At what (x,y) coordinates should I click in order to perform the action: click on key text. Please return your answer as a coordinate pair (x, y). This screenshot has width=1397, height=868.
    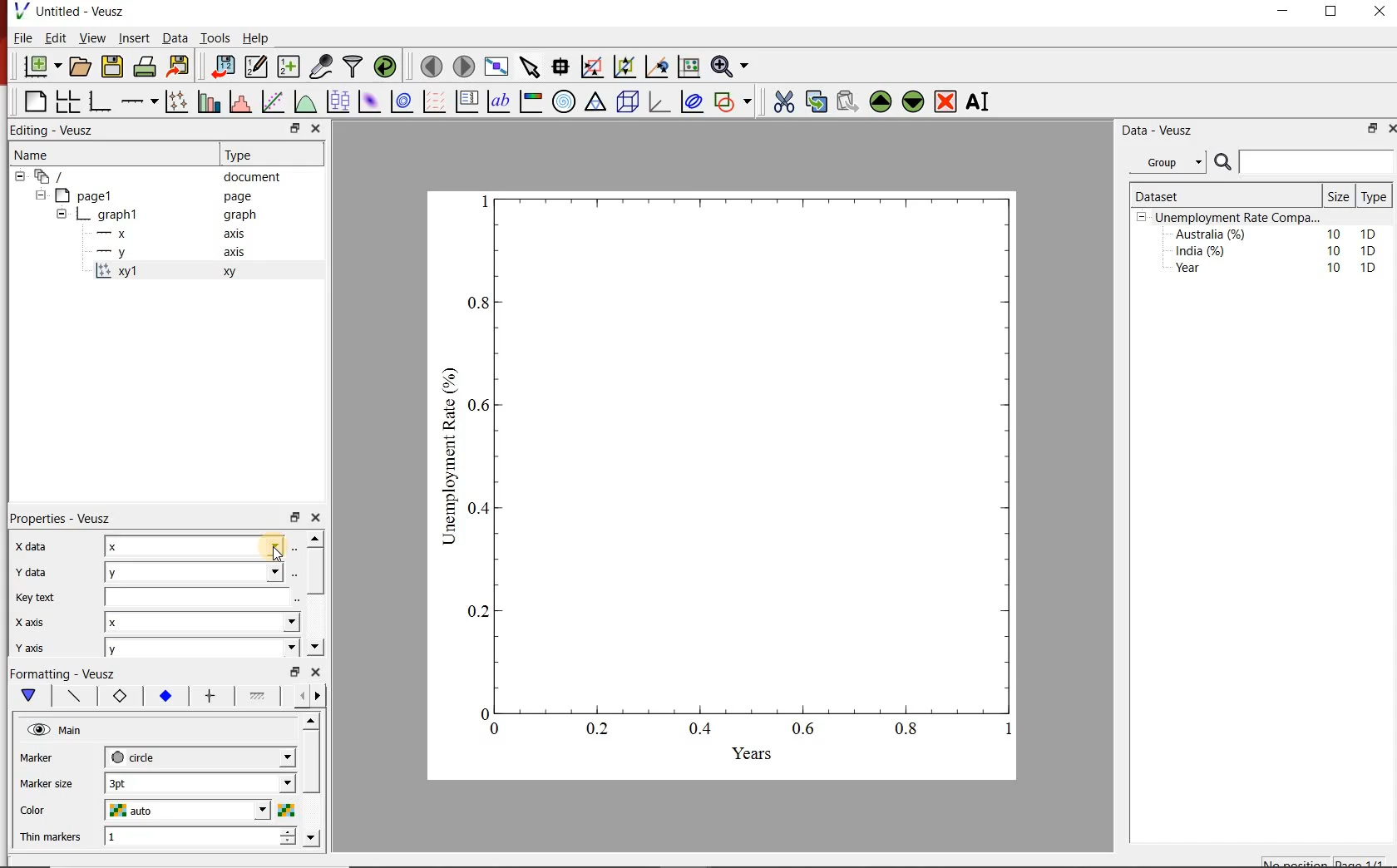
    Looking at the image, I should click on (34, 598).